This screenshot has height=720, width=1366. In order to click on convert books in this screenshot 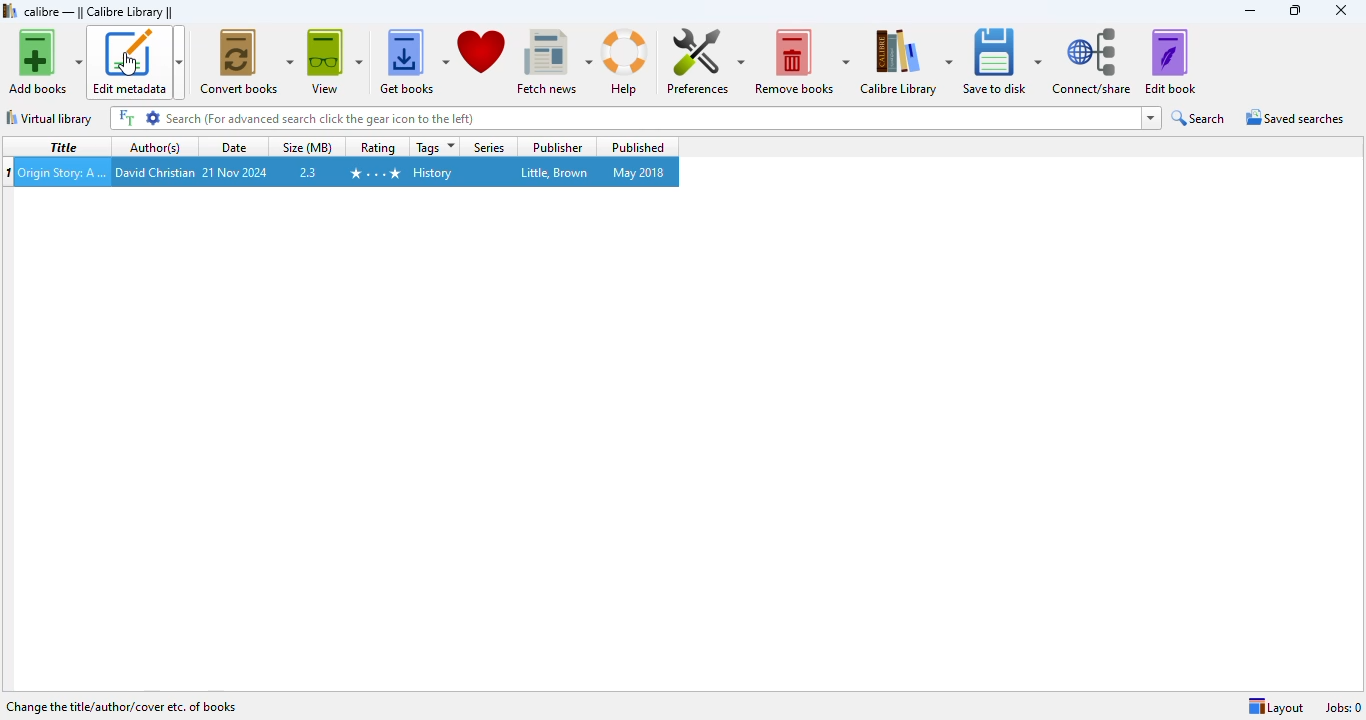, I will do `click(245, 61)`.